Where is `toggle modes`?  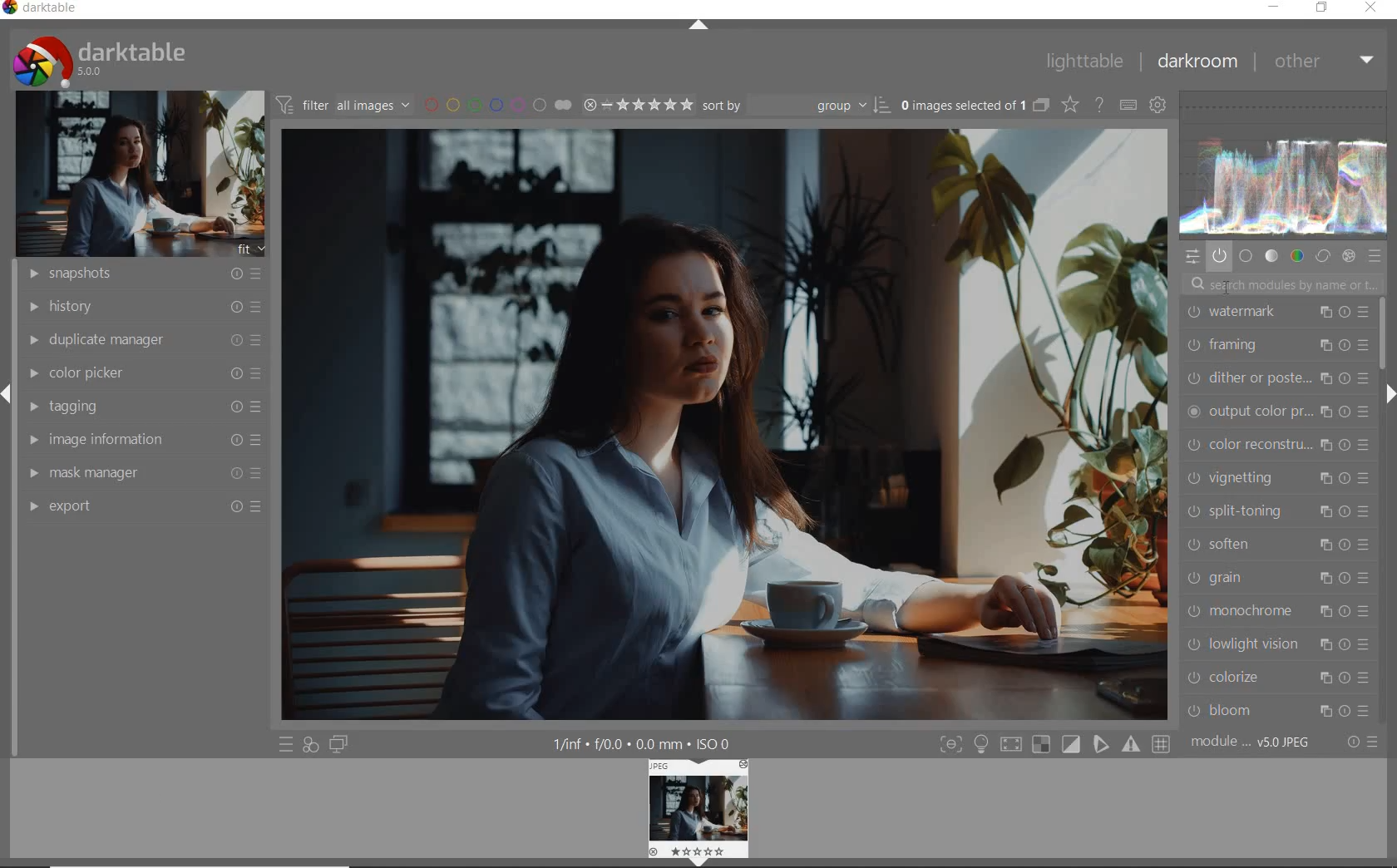
toggle modes is located at coordinates (1054, 744).